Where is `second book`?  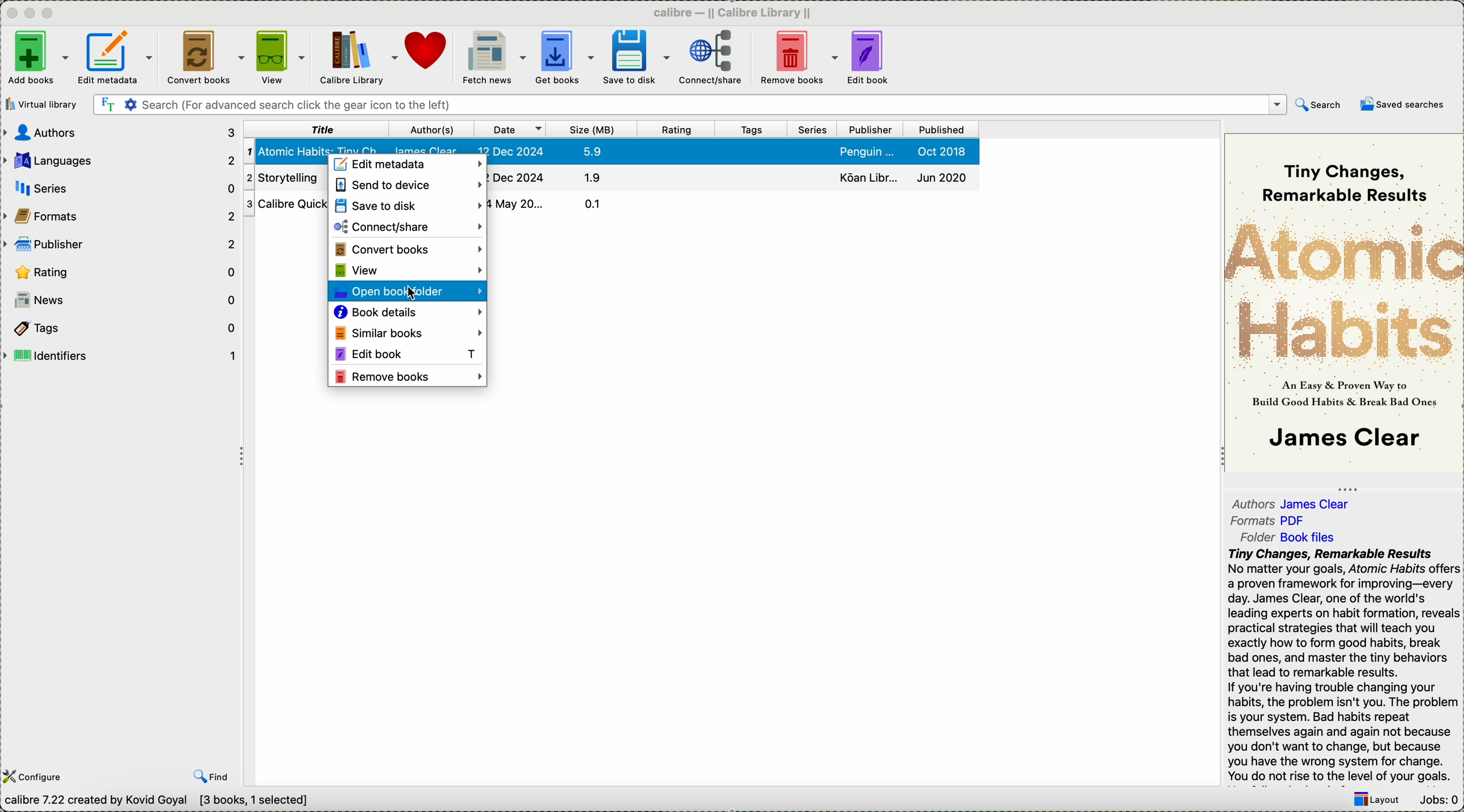
second book is located at coordinates (287, 178).